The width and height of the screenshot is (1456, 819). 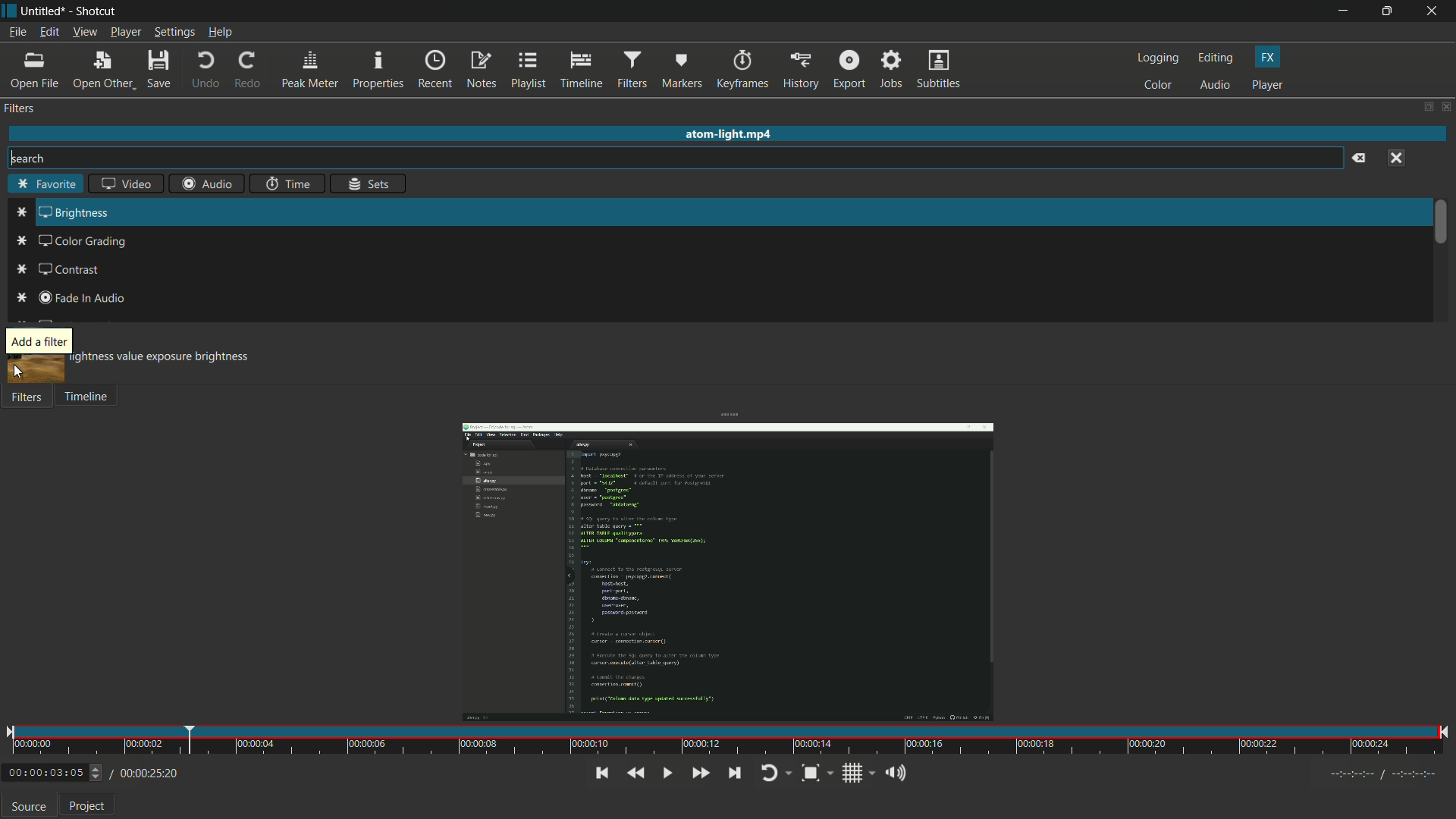 What do you see at coordinates (98, 11) in the screenshot?
I see `app name` at bounding box center [98, 11].